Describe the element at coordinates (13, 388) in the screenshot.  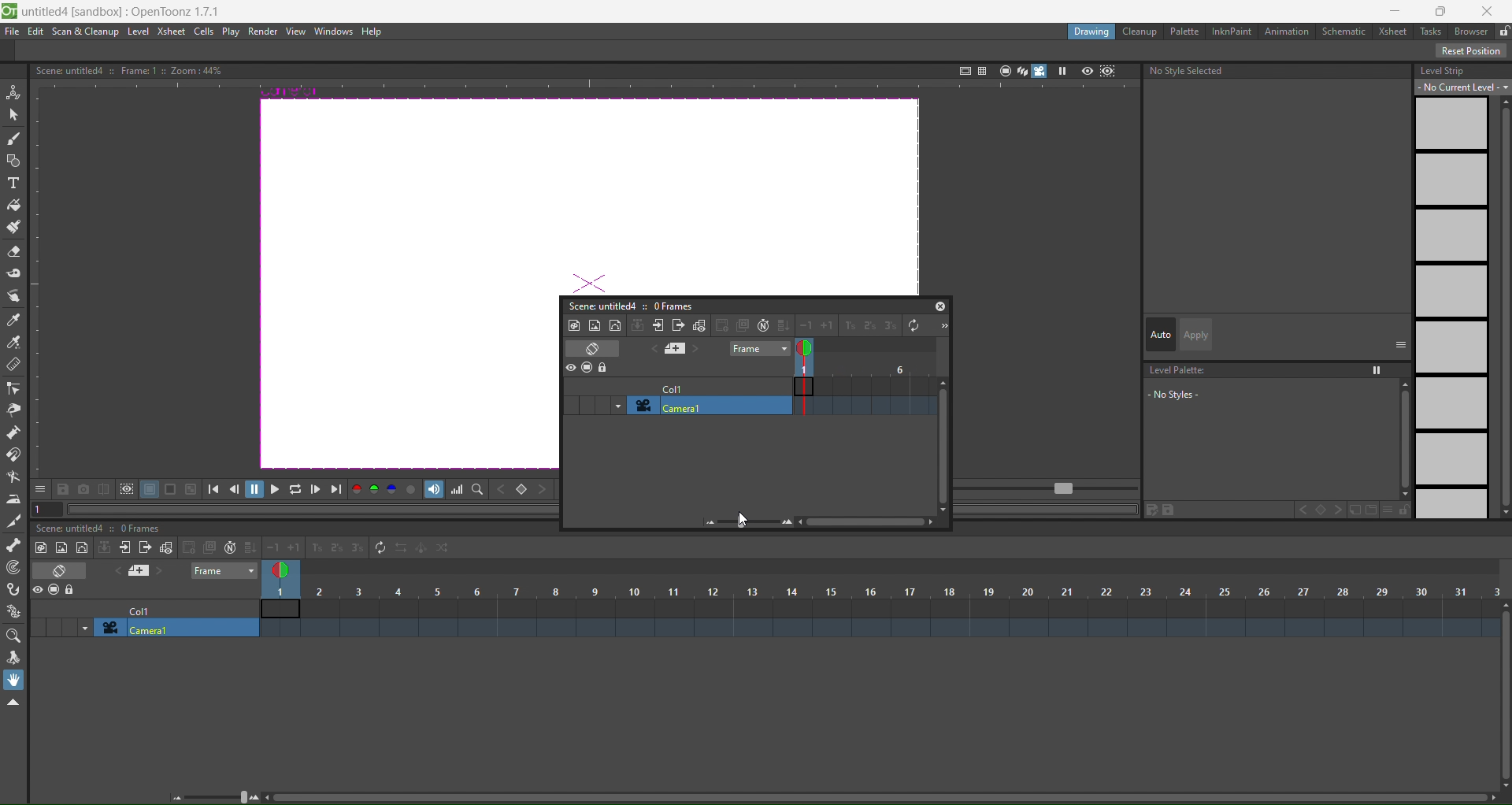
I see `control point editor` at that location.